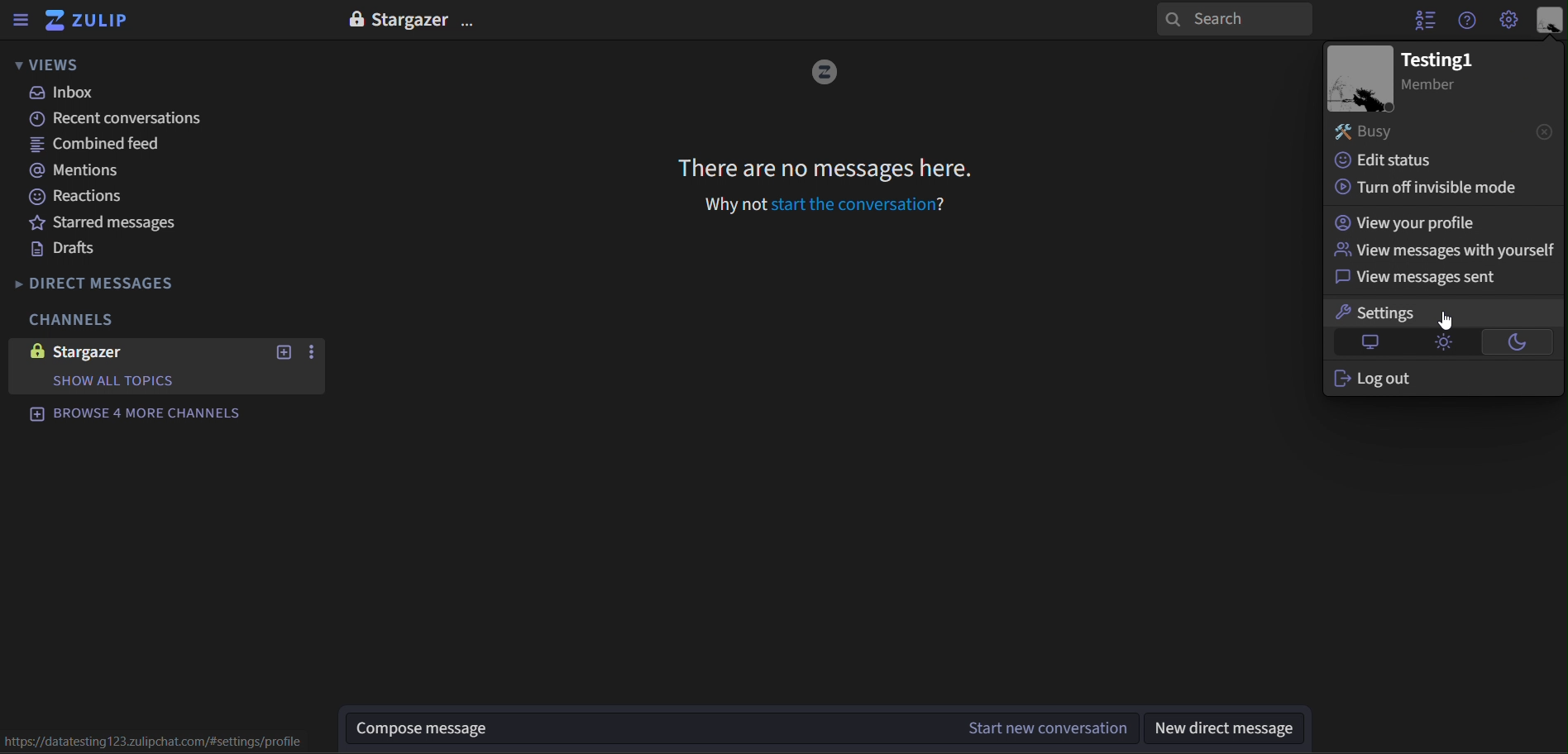  Describe the element at coordinates (1510, 20) in the screenshot. I see `main menu` at that location.